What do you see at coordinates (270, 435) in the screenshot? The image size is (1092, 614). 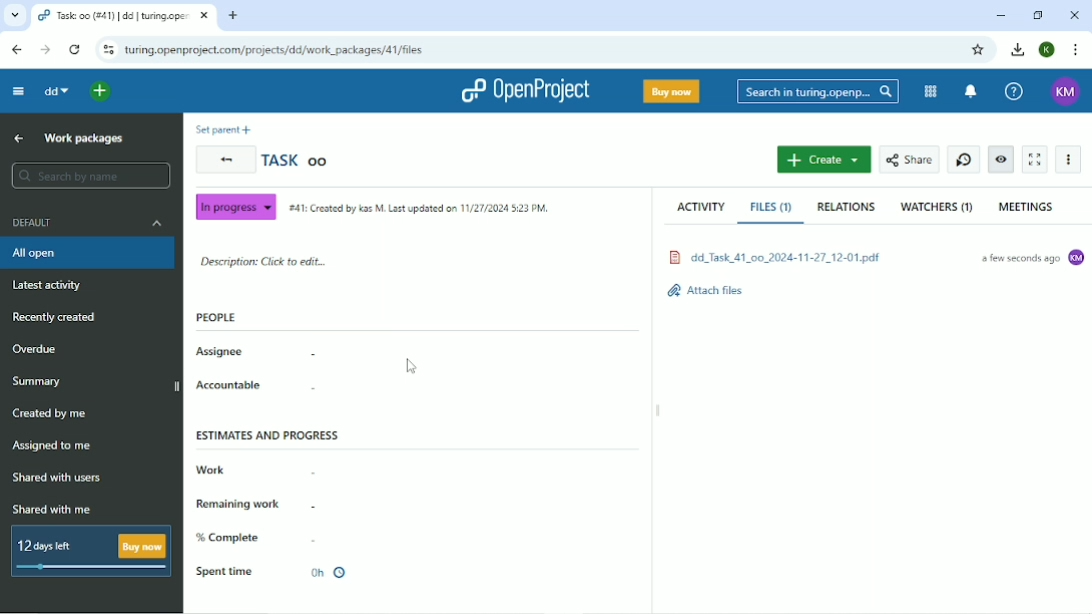 I see `Estimates and progress` at bounding box center [270, 435].